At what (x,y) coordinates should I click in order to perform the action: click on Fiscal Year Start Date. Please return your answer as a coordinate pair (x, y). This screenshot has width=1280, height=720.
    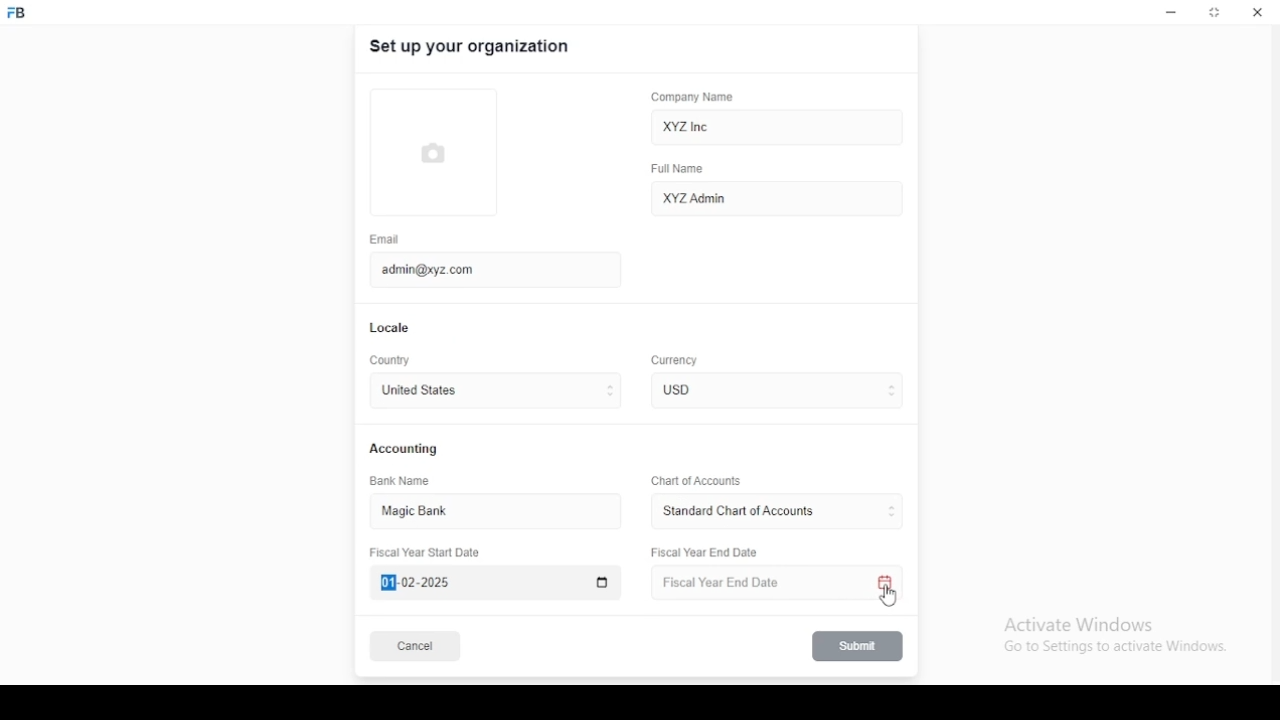
    Looking at the image, I should click on (498, 583).